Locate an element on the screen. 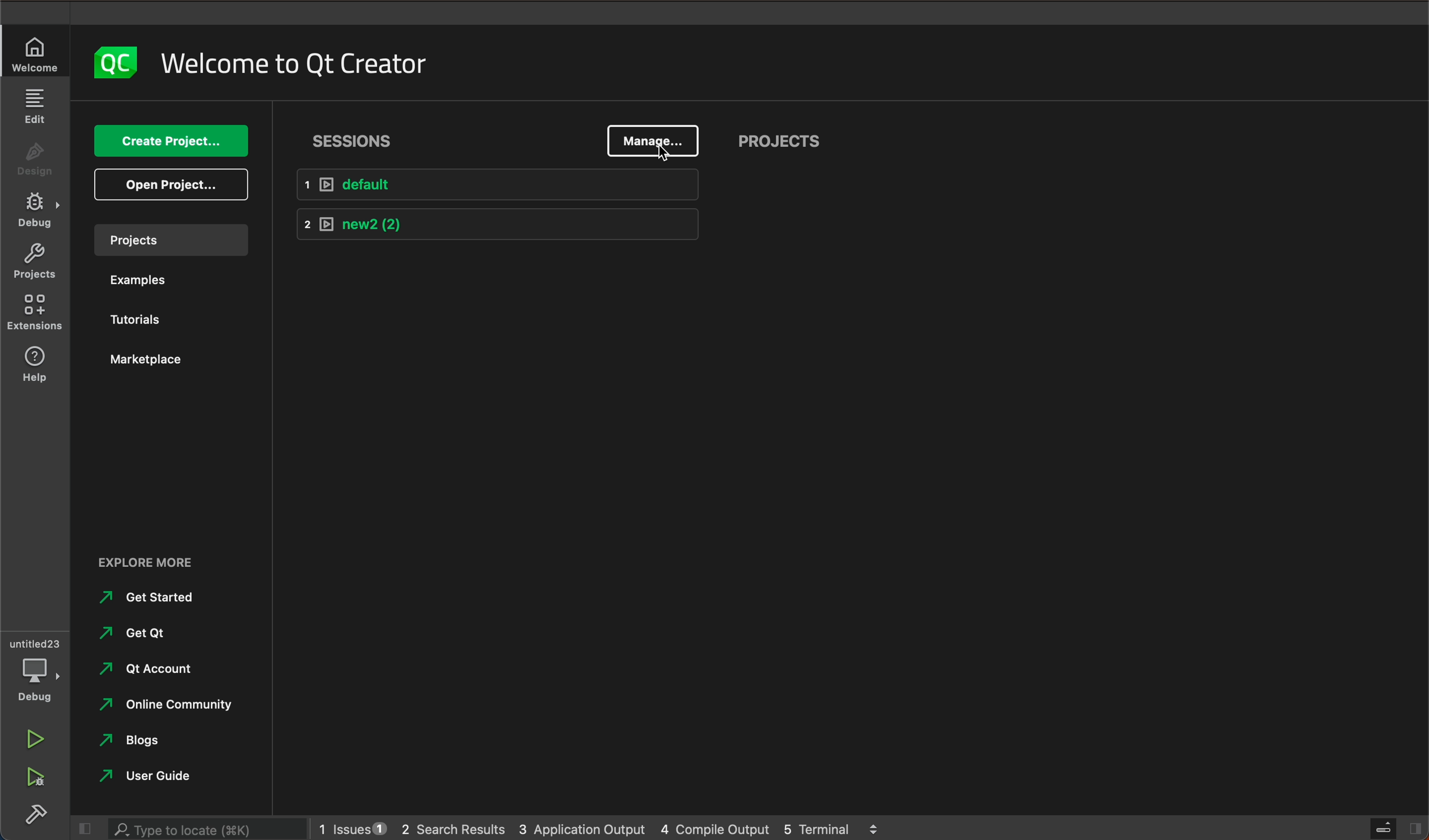 The height and width of the screenshot is (840, 1429). run debug is located at coordinates (32, 778).